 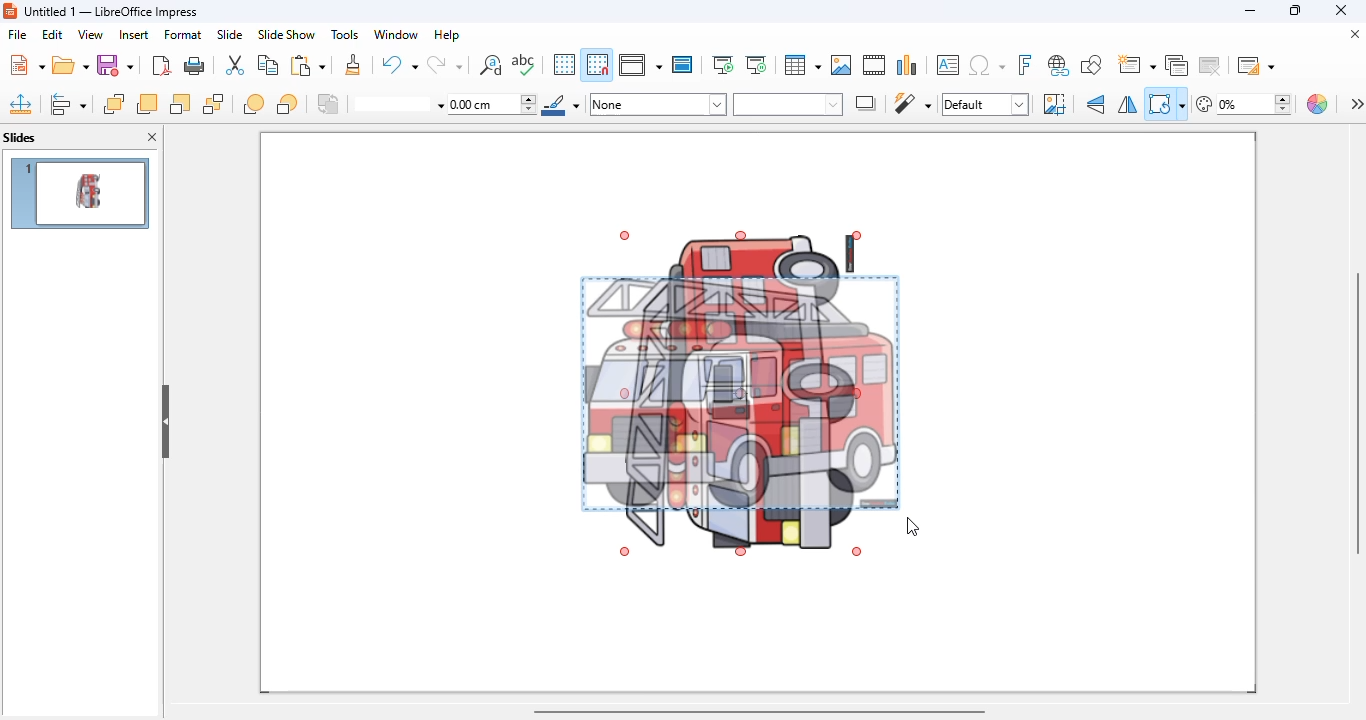 What do you see at coordinates (724, 65) in the screenshot?
I see `start from first slide` at bounding box center [724, 65].